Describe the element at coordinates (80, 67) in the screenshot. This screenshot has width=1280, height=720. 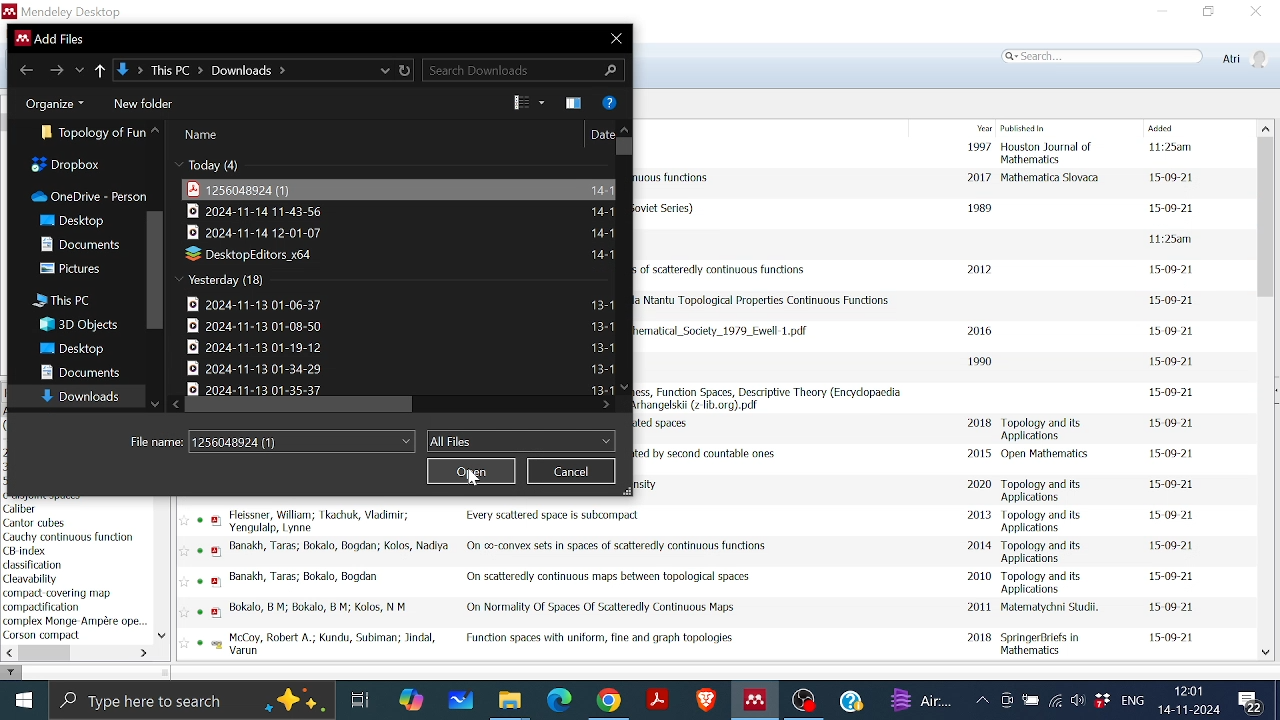
I see `recent locations` at that location.